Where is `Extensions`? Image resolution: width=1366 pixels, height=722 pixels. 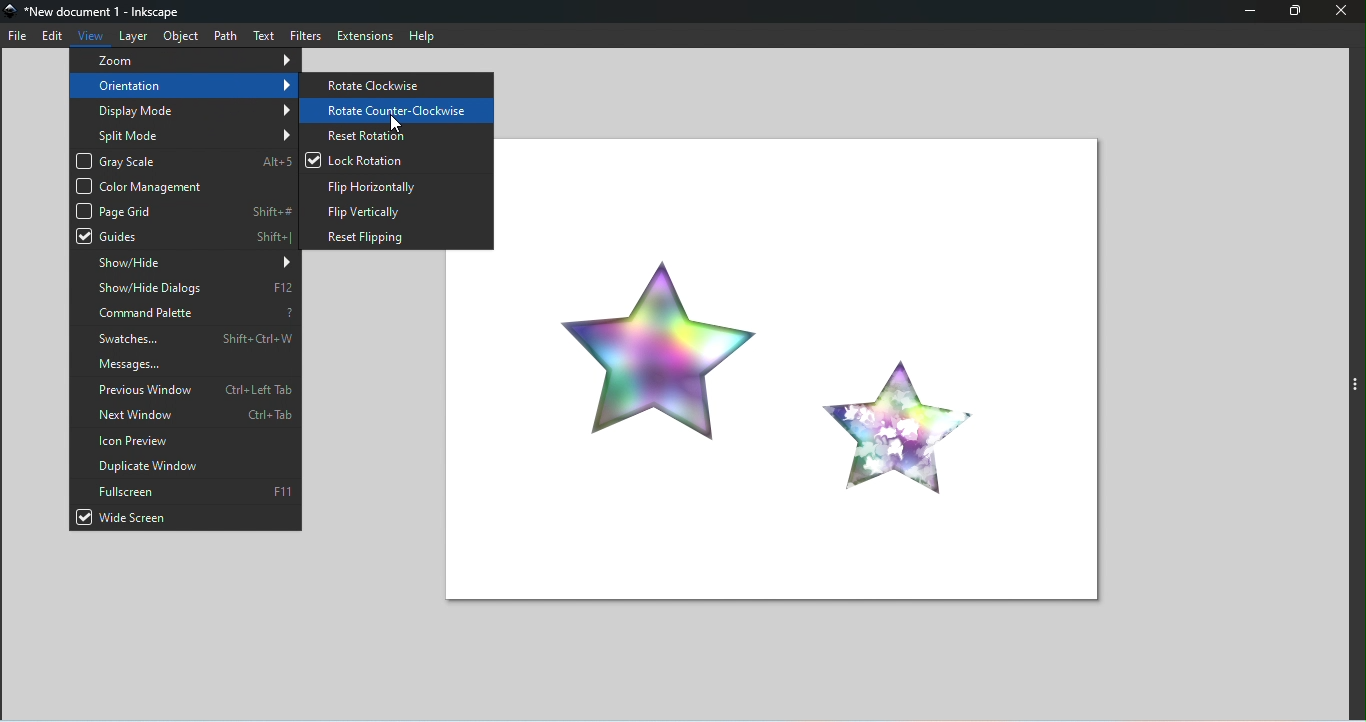
Extensions is located at coordinates (362, 35).